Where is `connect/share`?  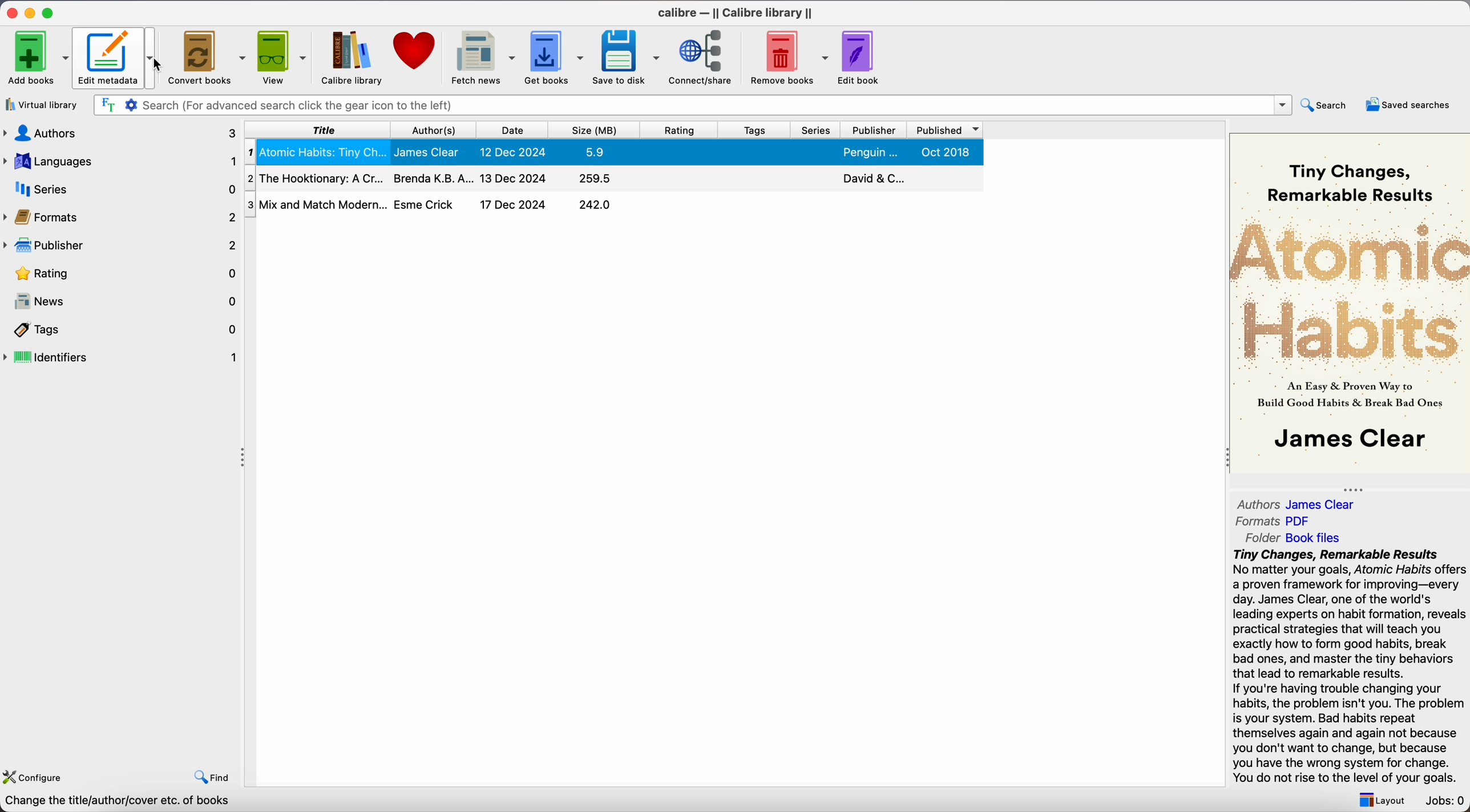
connect/share is located at coordinates (705, 57).